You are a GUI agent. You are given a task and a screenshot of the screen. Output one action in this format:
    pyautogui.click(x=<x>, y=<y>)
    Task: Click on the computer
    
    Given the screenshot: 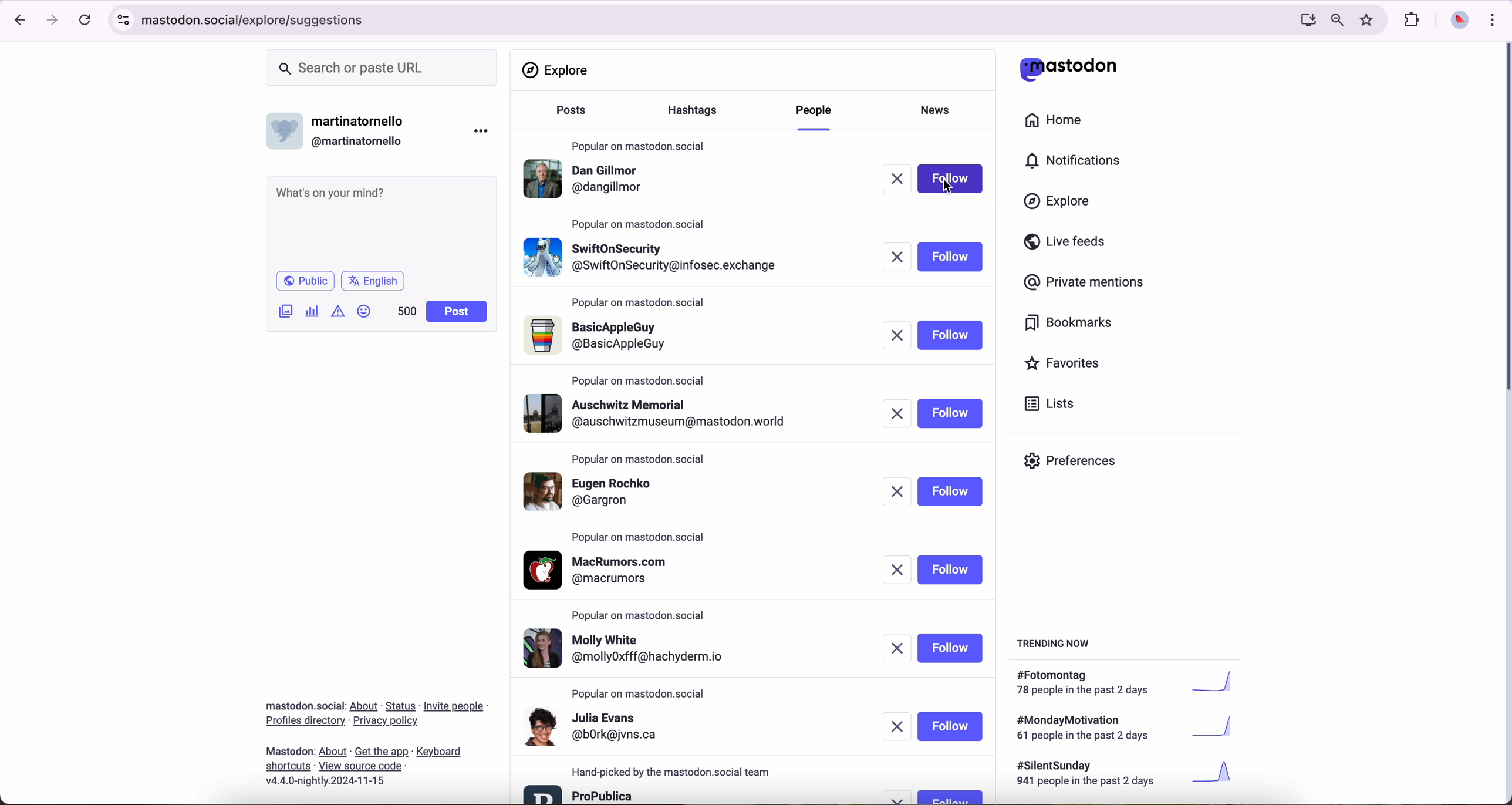 What is the action you would take?
    pyautogui.click(x=1303, y=19)
    